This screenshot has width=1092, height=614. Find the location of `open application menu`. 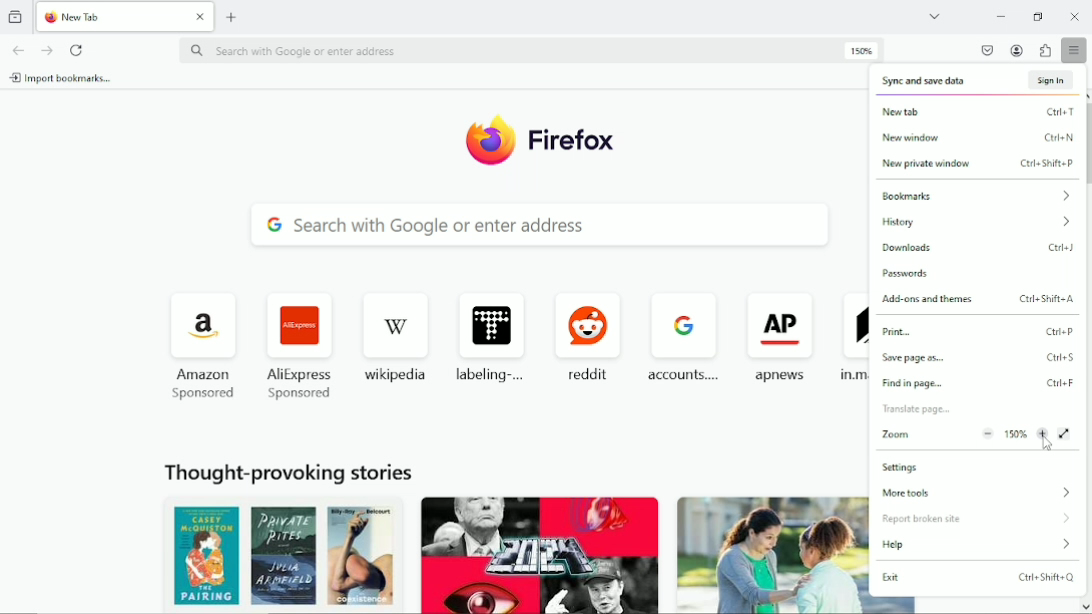

open application menu is located at coordinates (1075, 51).